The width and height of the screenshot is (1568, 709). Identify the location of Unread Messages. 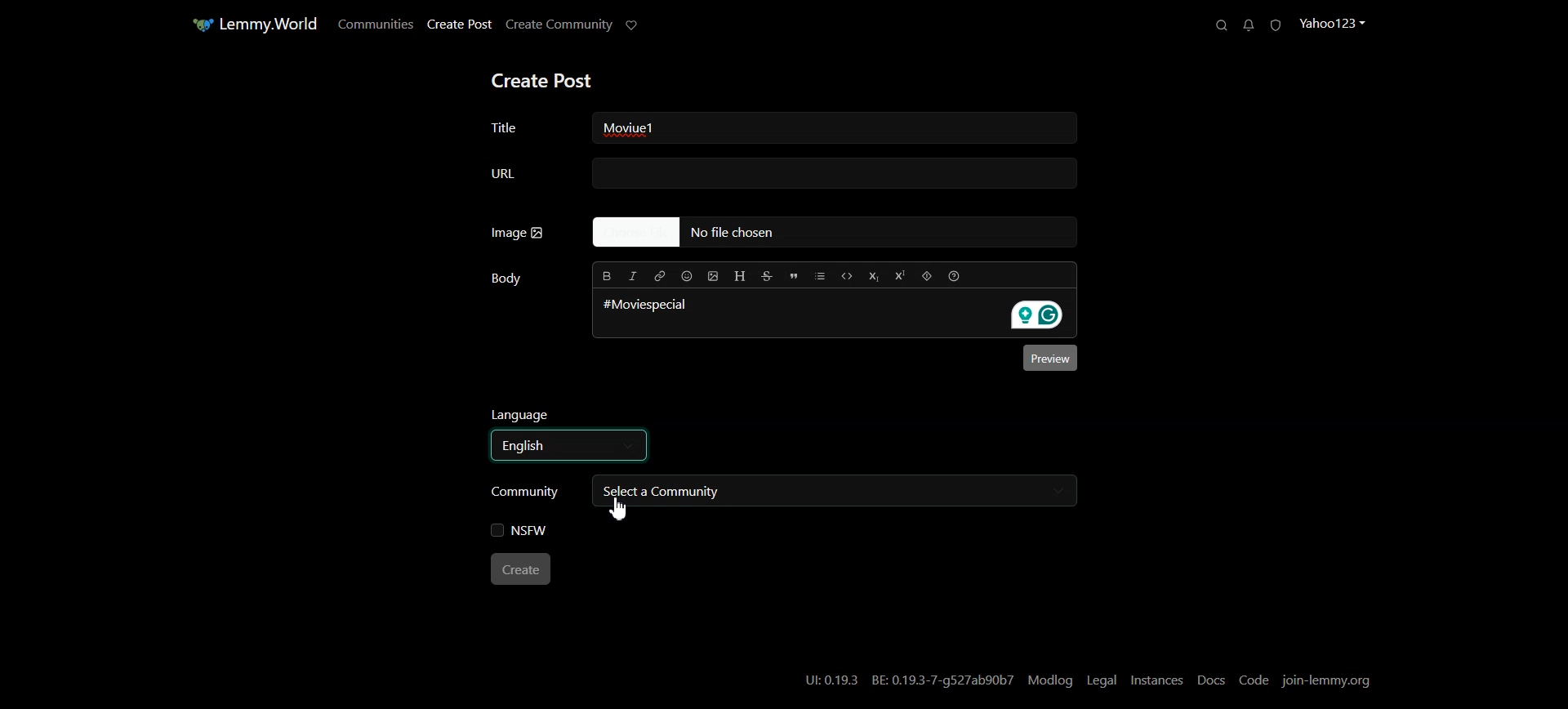
(1248, 25).